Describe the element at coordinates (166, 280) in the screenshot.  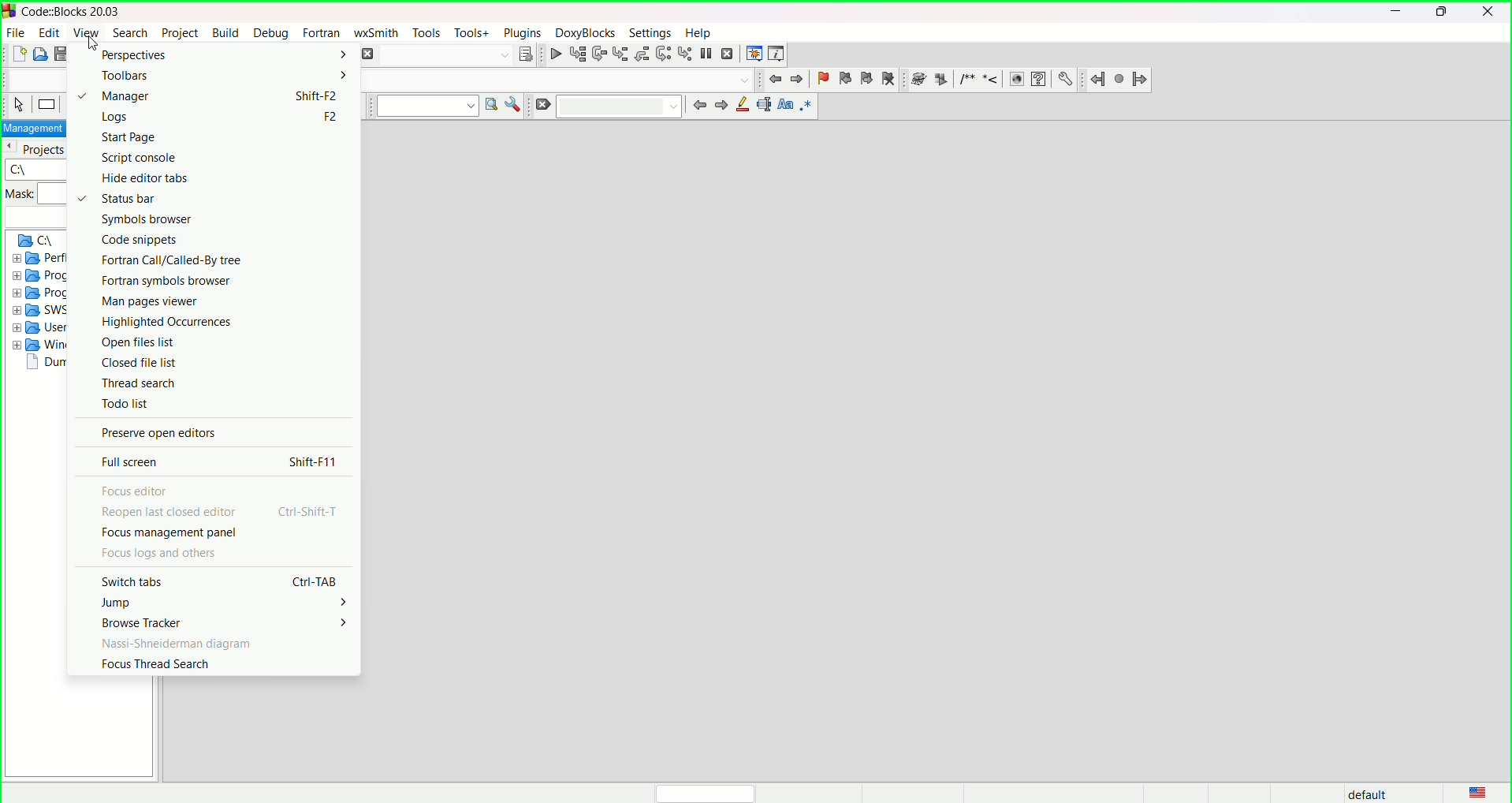
I see `fortran symbol browser` at that location.